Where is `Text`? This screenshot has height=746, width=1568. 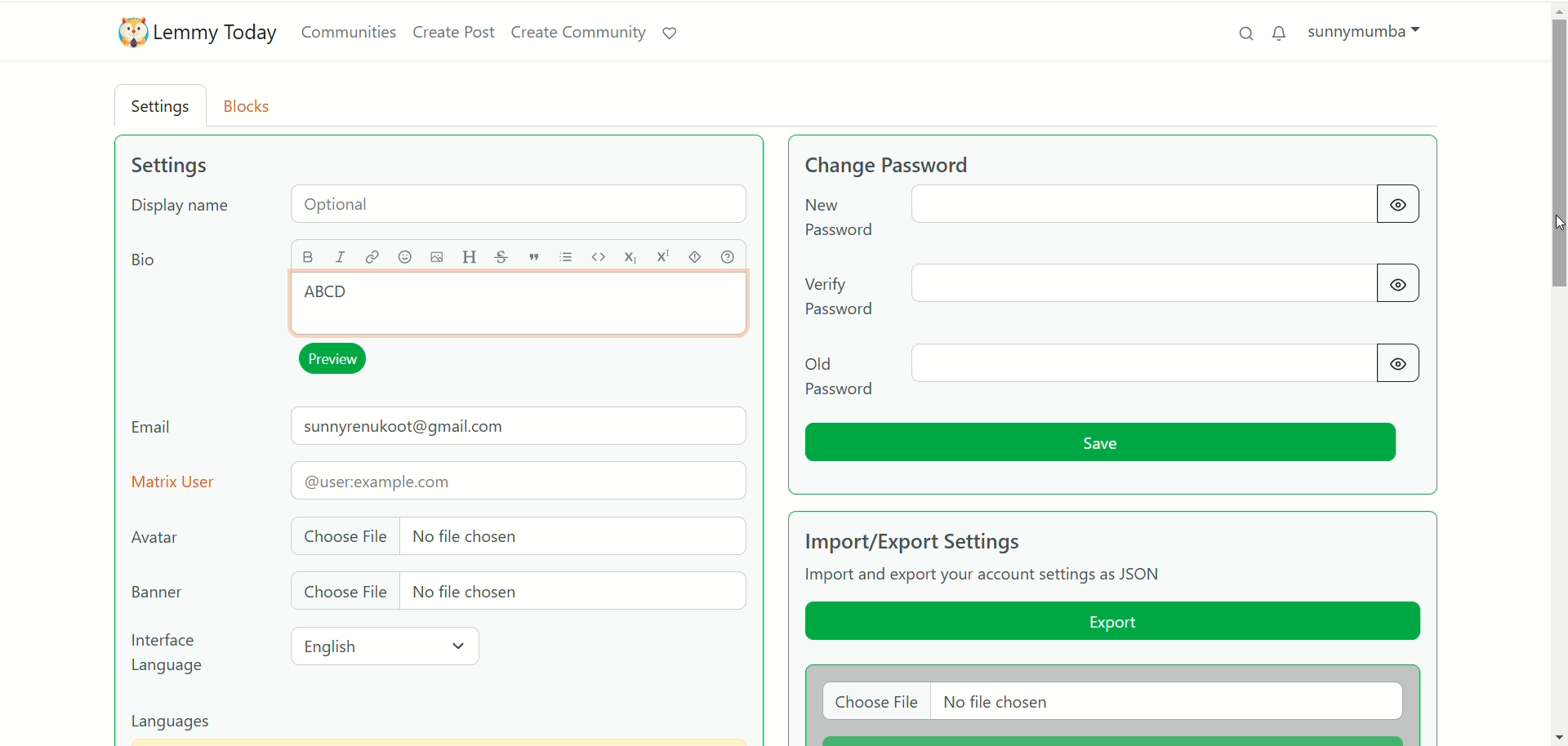 Text is located at coordinates (338, 300).